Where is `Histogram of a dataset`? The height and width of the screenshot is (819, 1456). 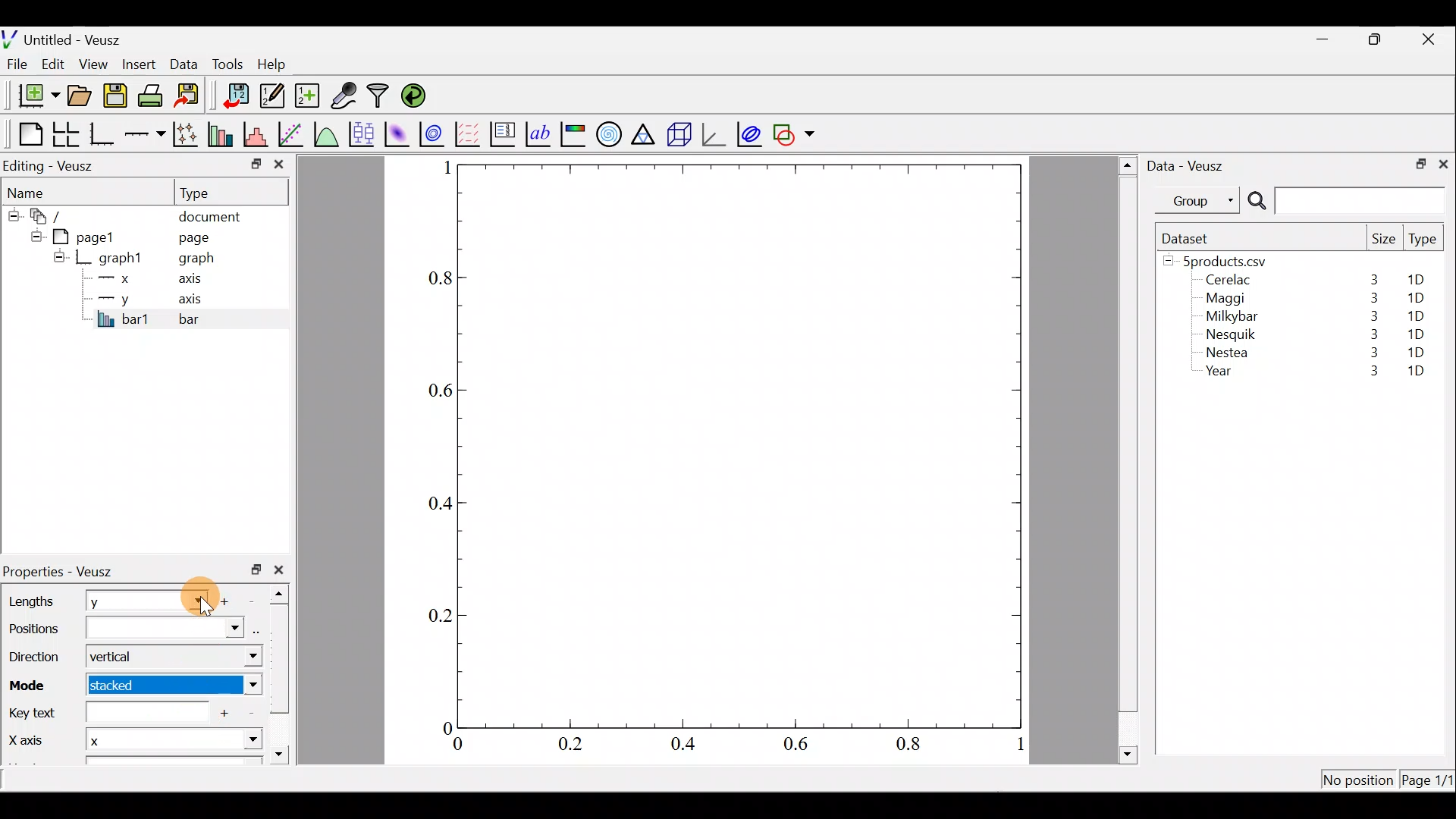 Histogram of a dataset is located at coordinates (260, 135).